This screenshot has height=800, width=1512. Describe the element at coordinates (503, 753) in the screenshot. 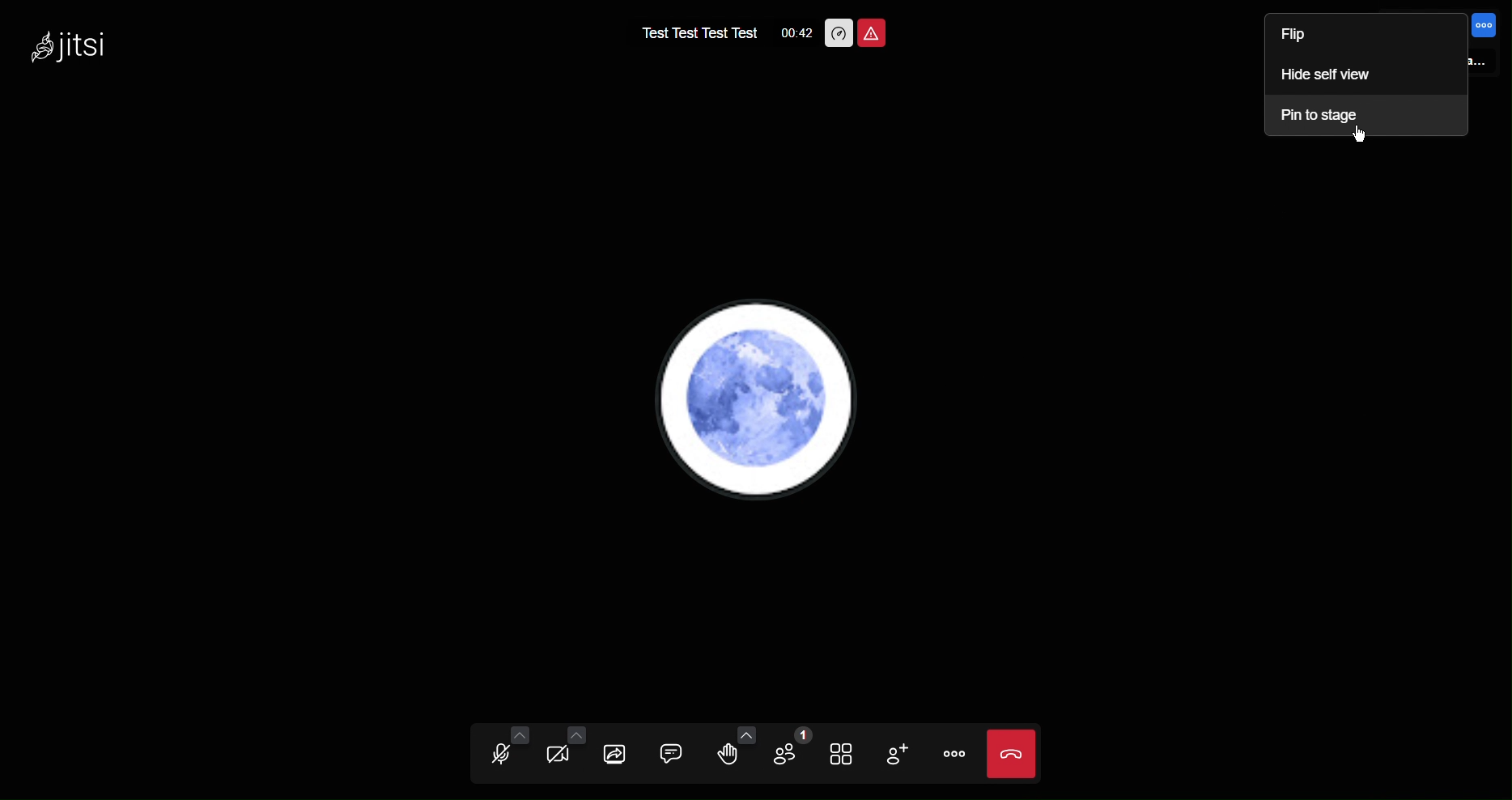

I see `Audio` at that location.